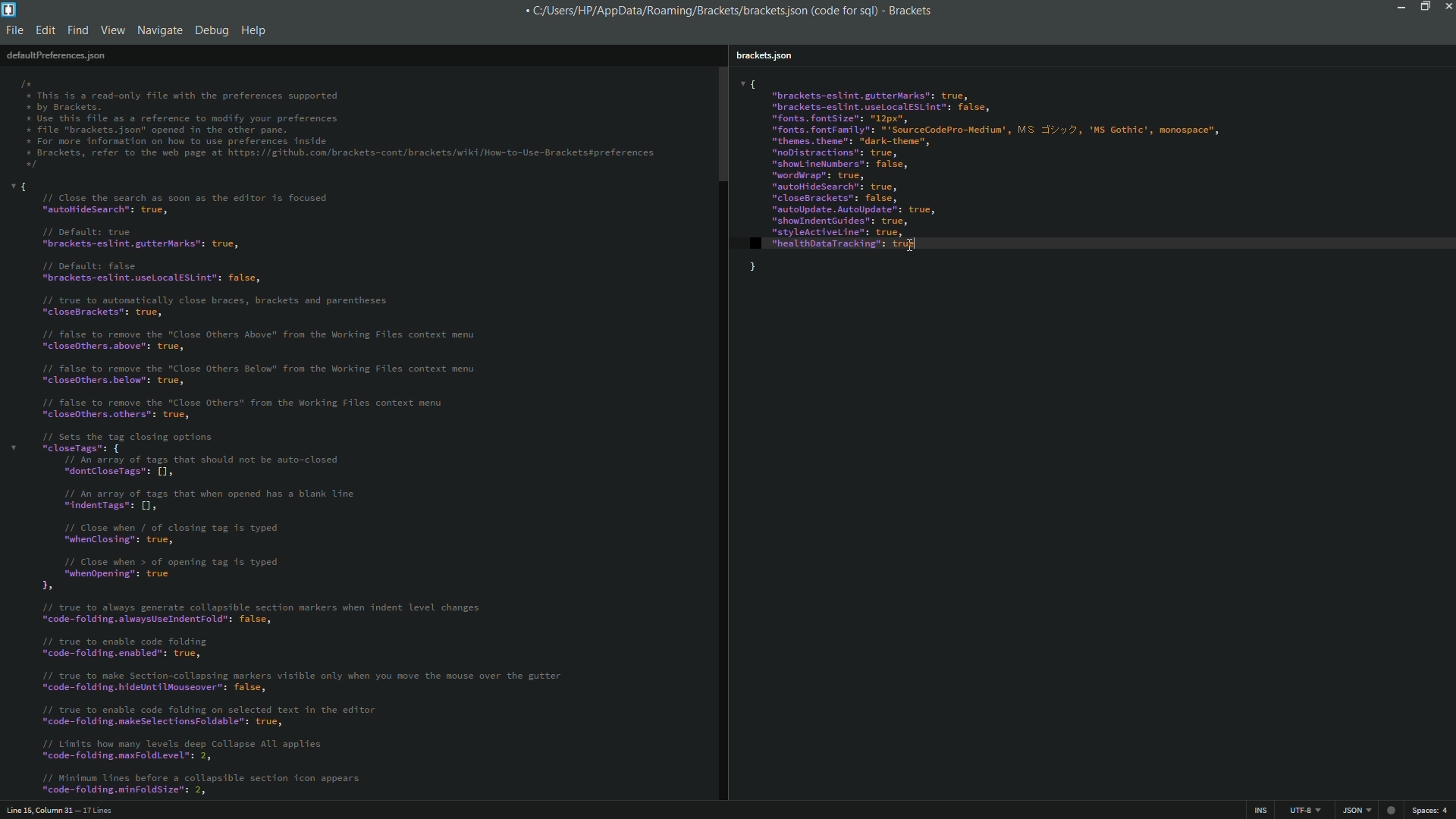 The height and width of the screenshot is (819, 1456). Describe the element at coordinates (1433, 811) in the screenshot. I see `Space` at that location.